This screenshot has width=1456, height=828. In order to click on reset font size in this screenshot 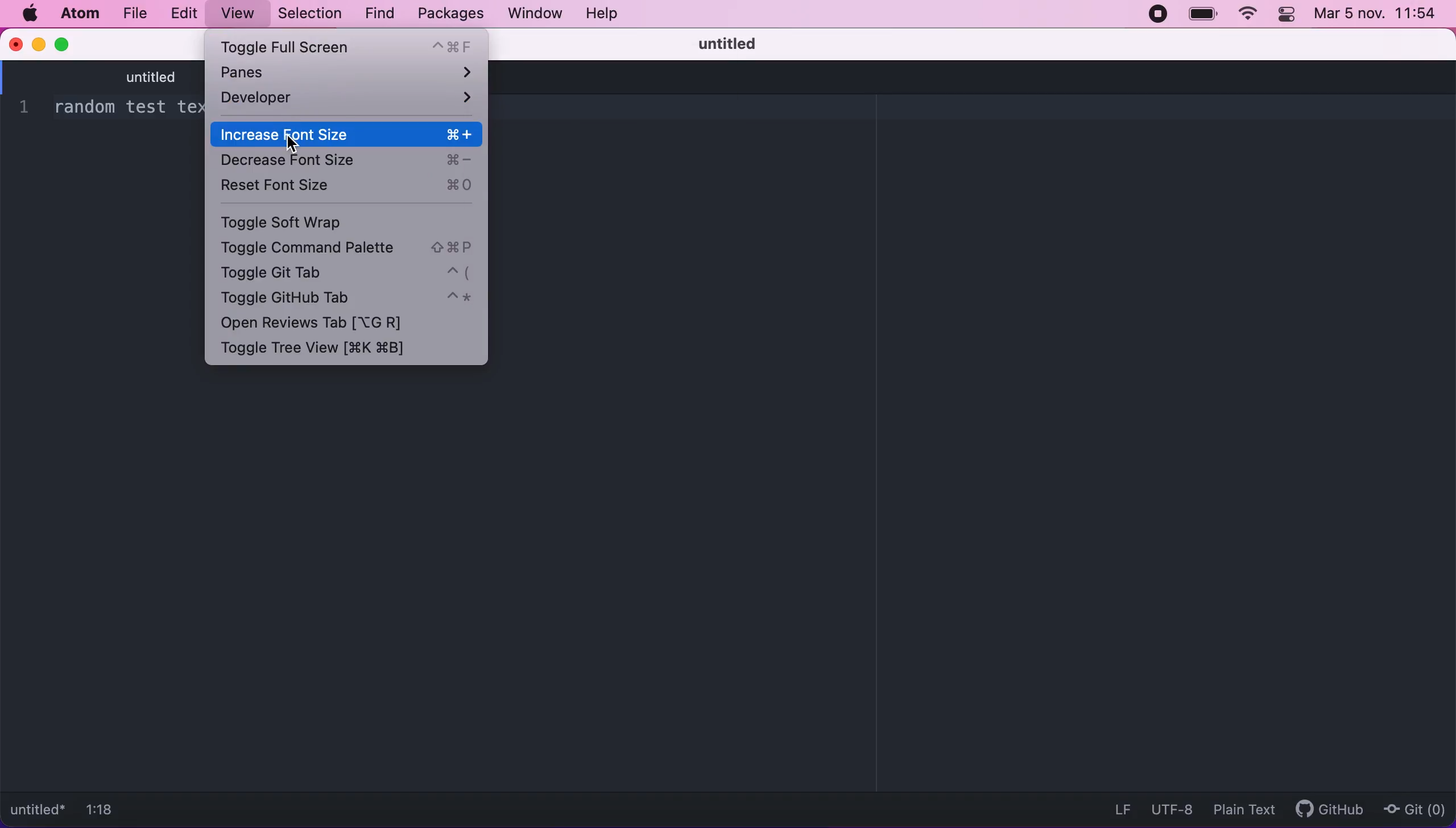, I will do `click(351, 189)`.